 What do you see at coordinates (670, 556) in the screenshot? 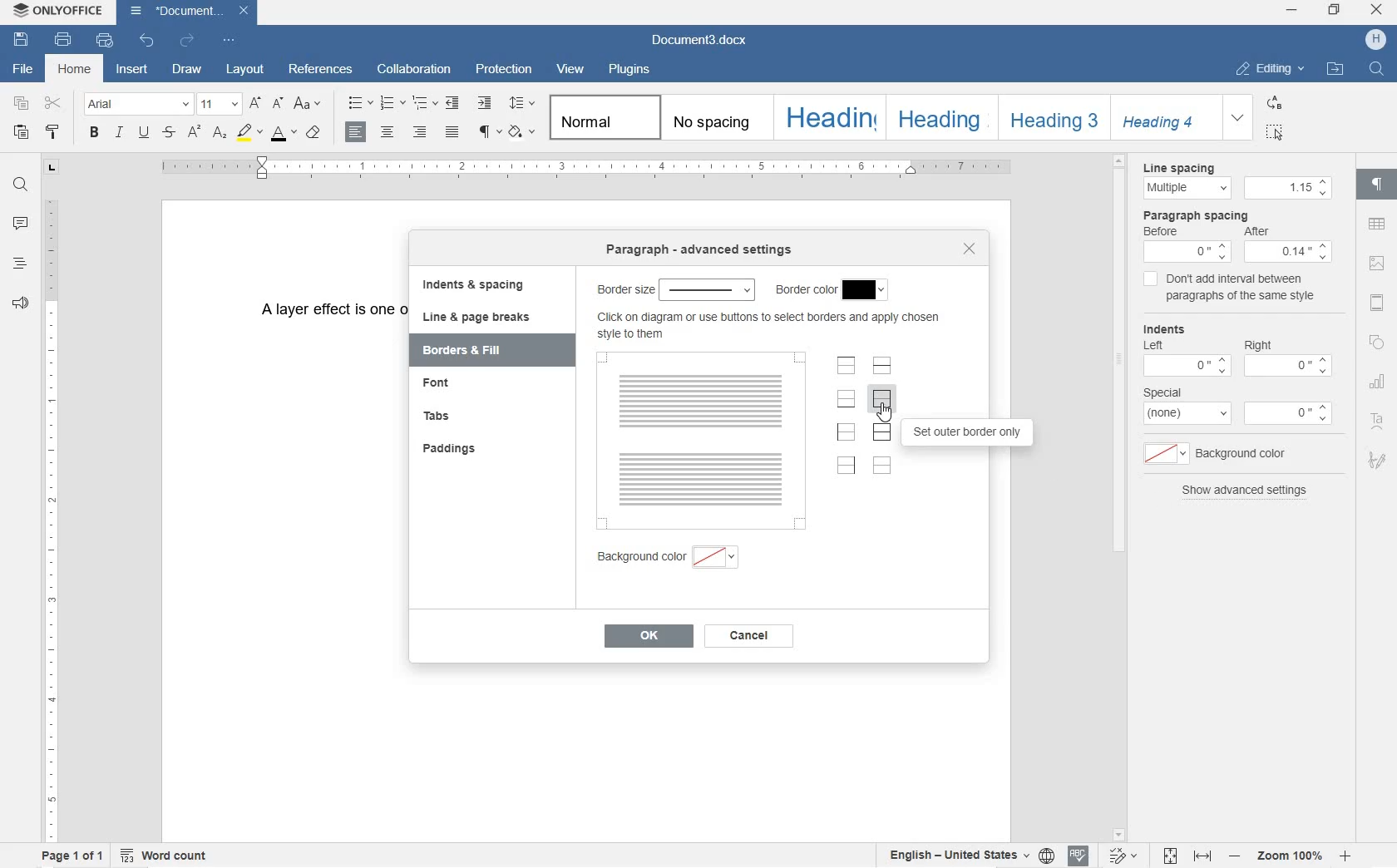
I see `background color` at bounding box center [670, 556].